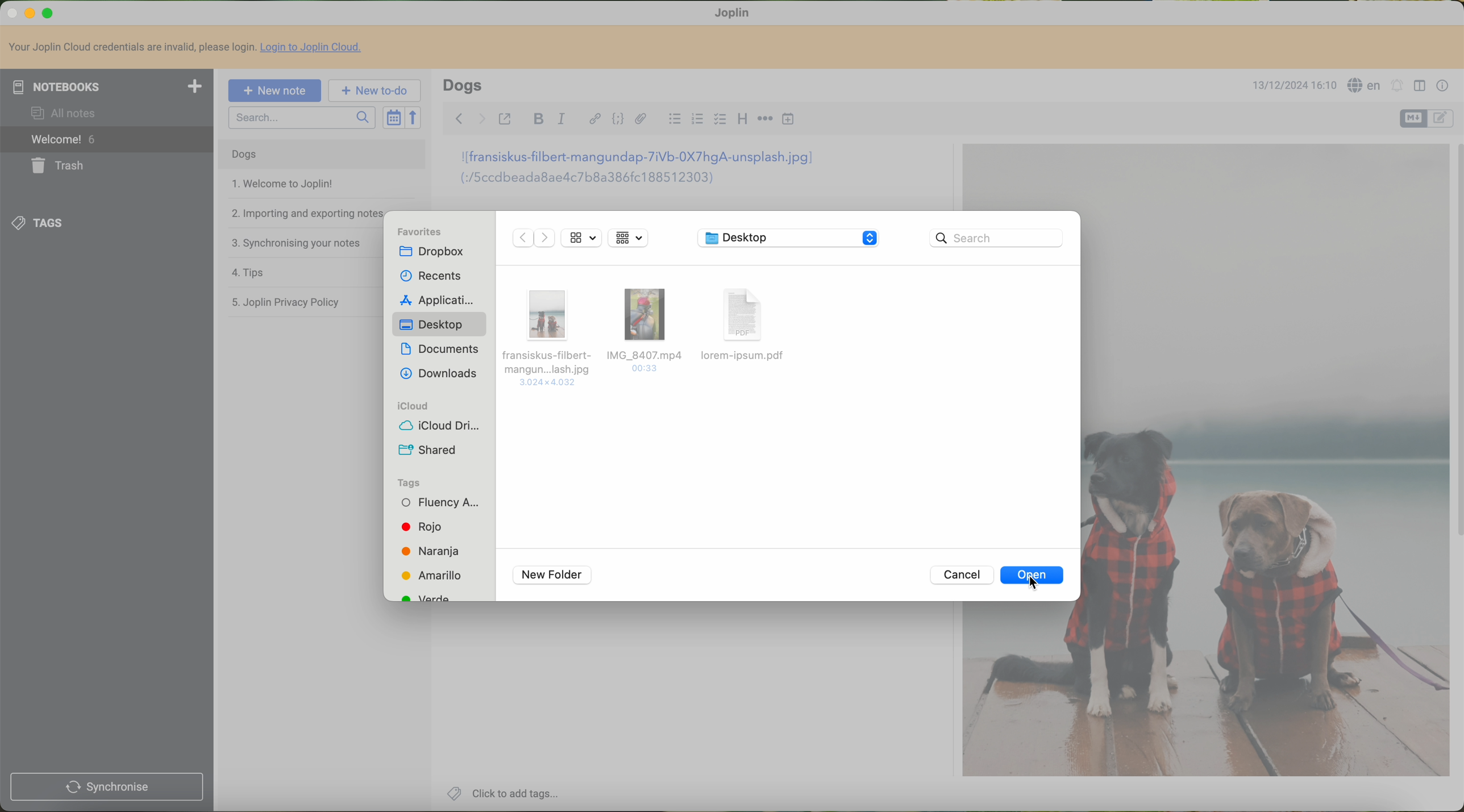 The height and width of the screenshot is (812, 1464). I want to click on Your Joplin Cloud credentials are invalid, please login. Login to Joplin Cloud, so click(190, 48).